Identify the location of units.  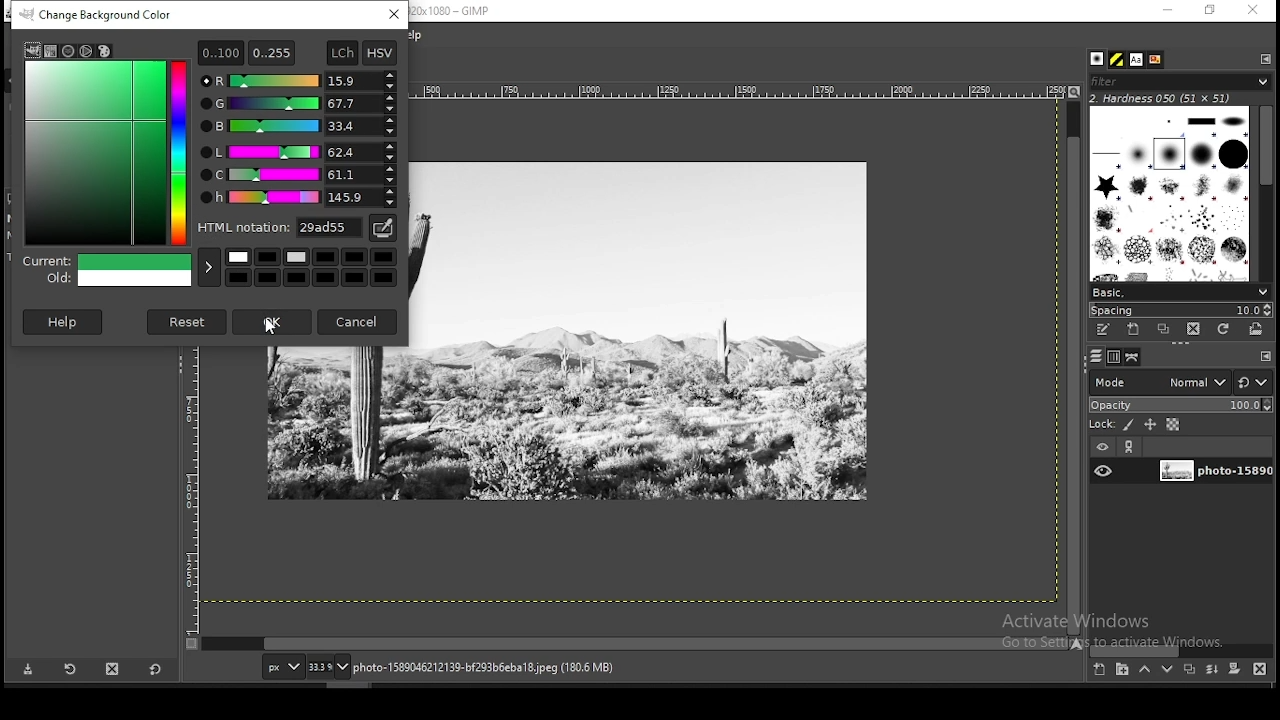
(280, 666).